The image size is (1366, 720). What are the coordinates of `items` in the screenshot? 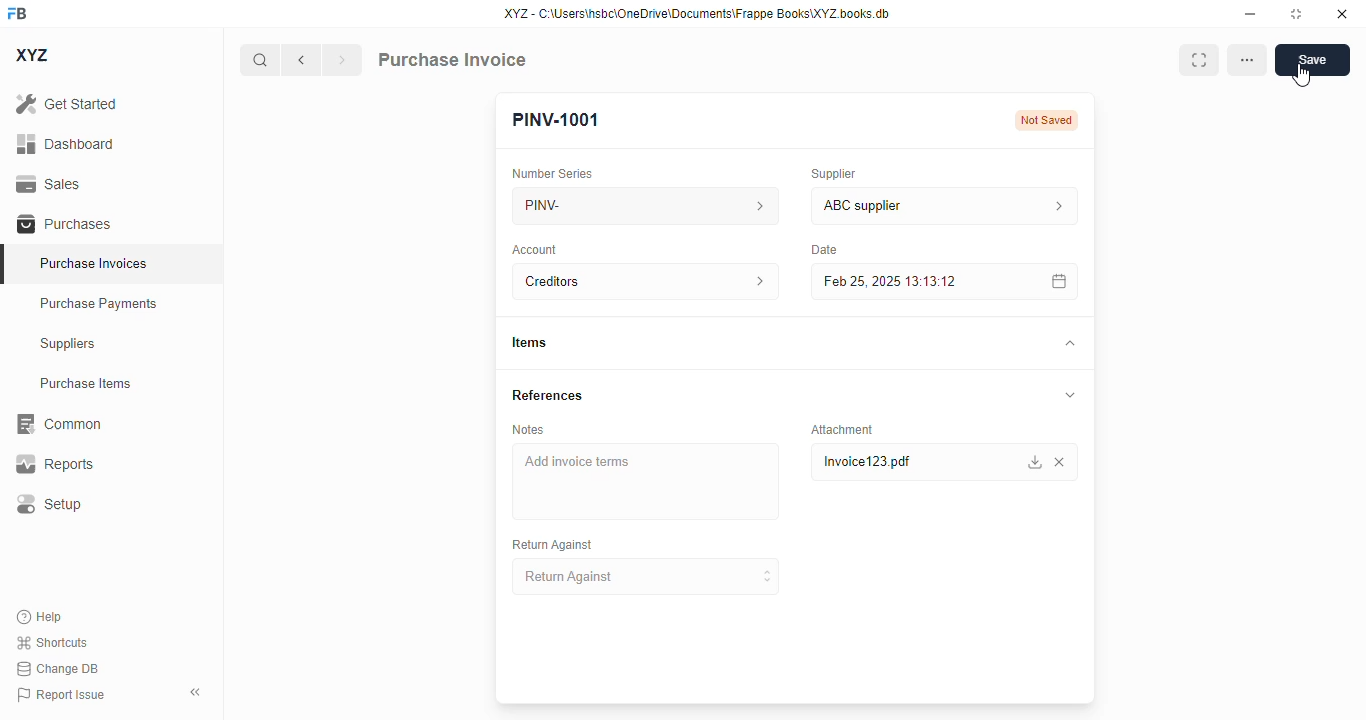 It's located at (529, 343).